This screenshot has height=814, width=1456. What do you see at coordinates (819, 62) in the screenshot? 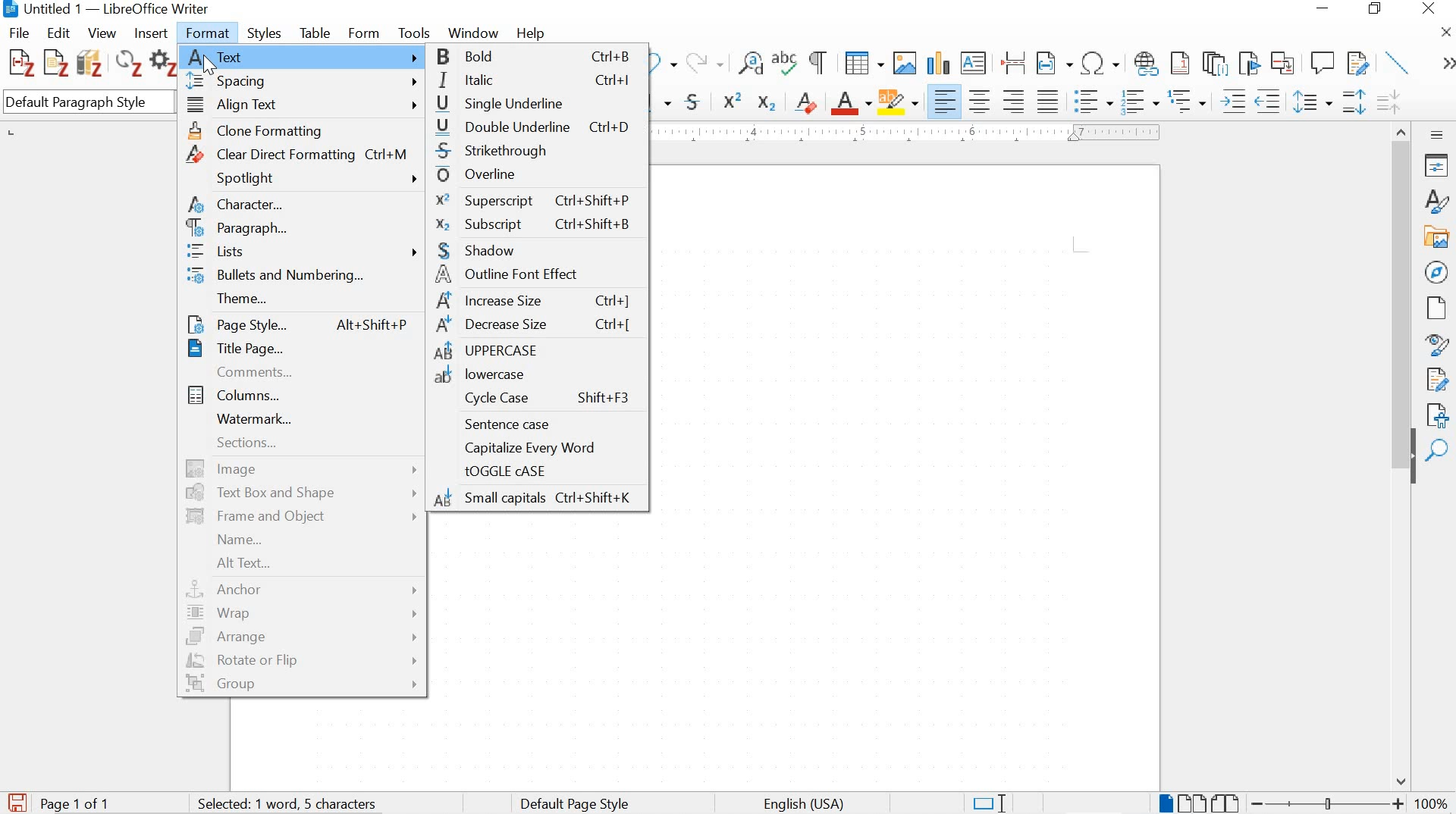
I see `toggle formatting marks` at bounding box center [819, 62].